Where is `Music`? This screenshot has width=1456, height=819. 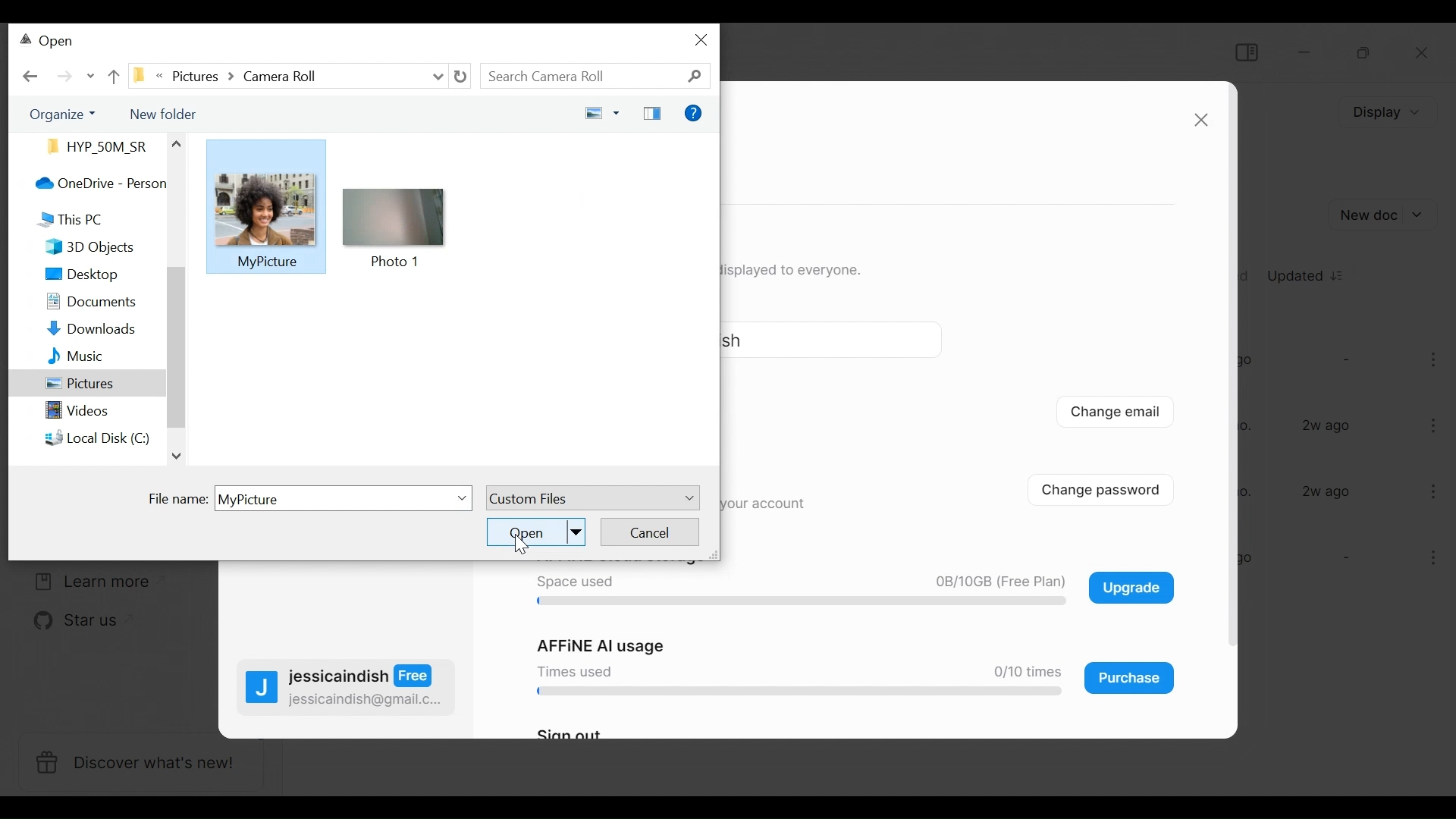
Music is located at coordinates (64, 358).